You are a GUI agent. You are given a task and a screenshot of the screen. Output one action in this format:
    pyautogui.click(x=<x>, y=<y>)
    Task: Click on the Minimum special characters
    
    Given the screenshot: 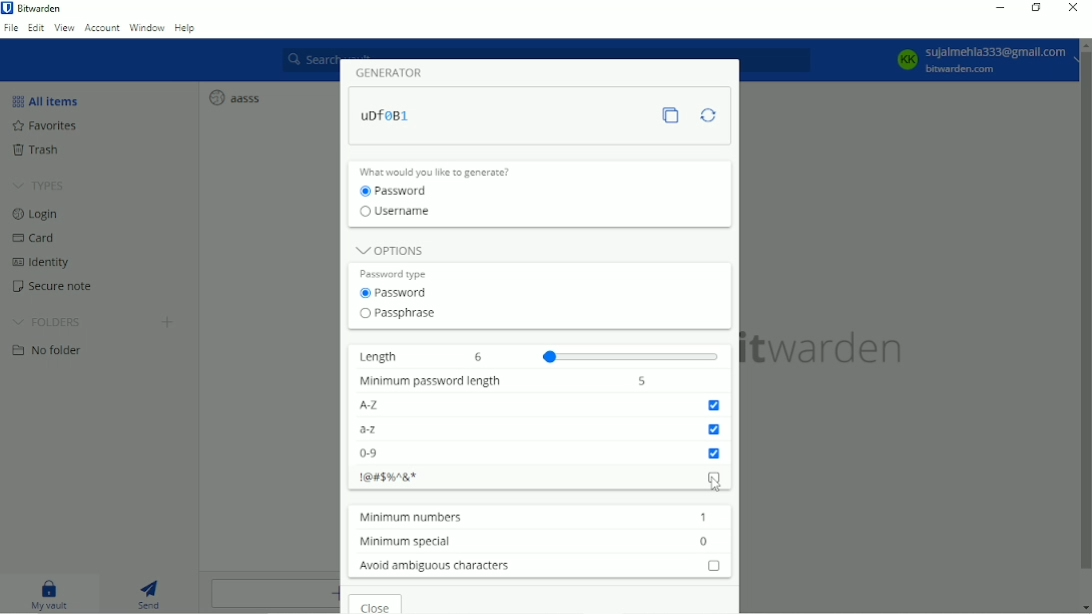 What is the action you would take?
    pyautogui.click(x=409, y=542)
    